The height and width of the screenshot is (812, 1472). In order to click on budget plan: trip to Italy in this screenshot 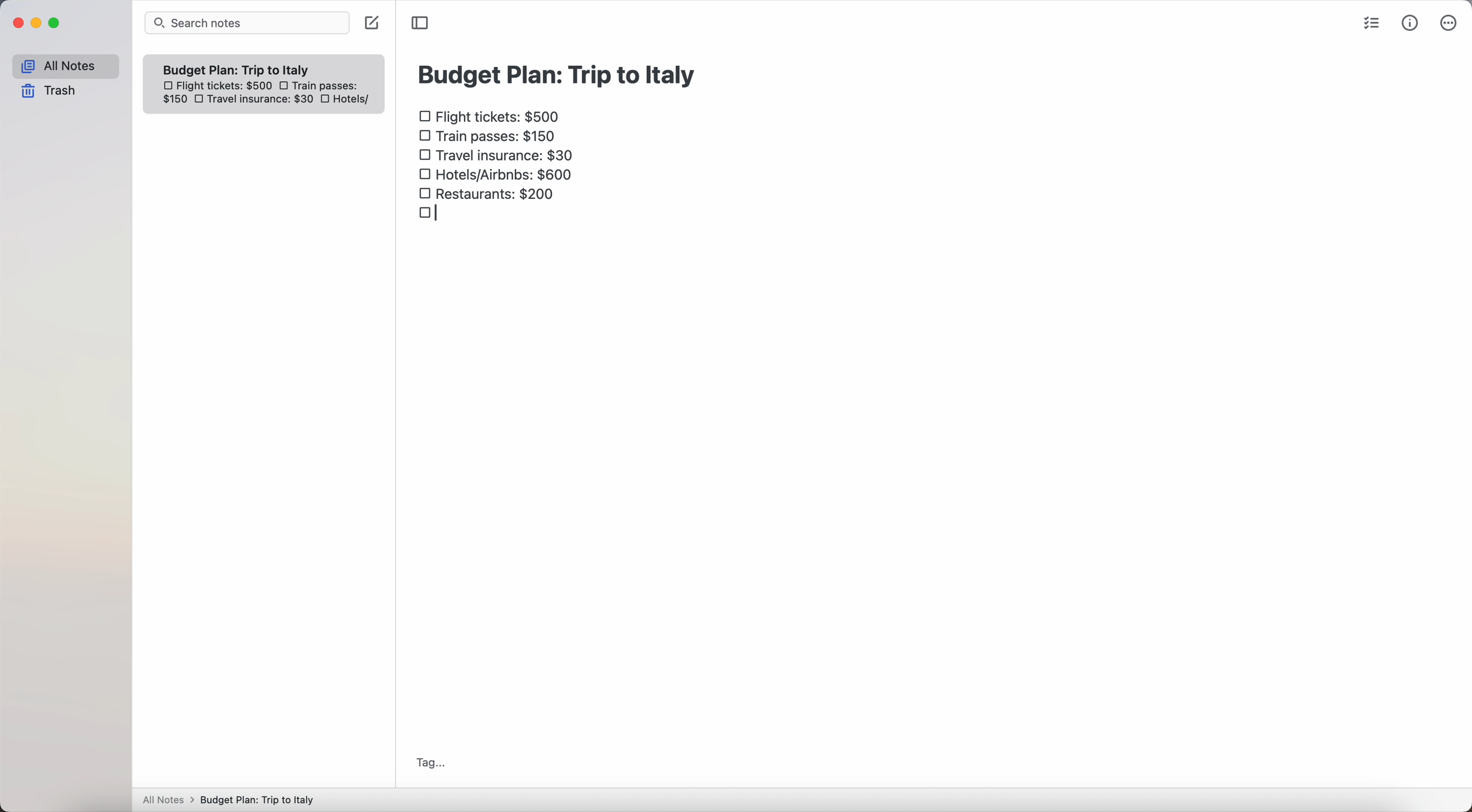, I will do `click(559, 73)`.